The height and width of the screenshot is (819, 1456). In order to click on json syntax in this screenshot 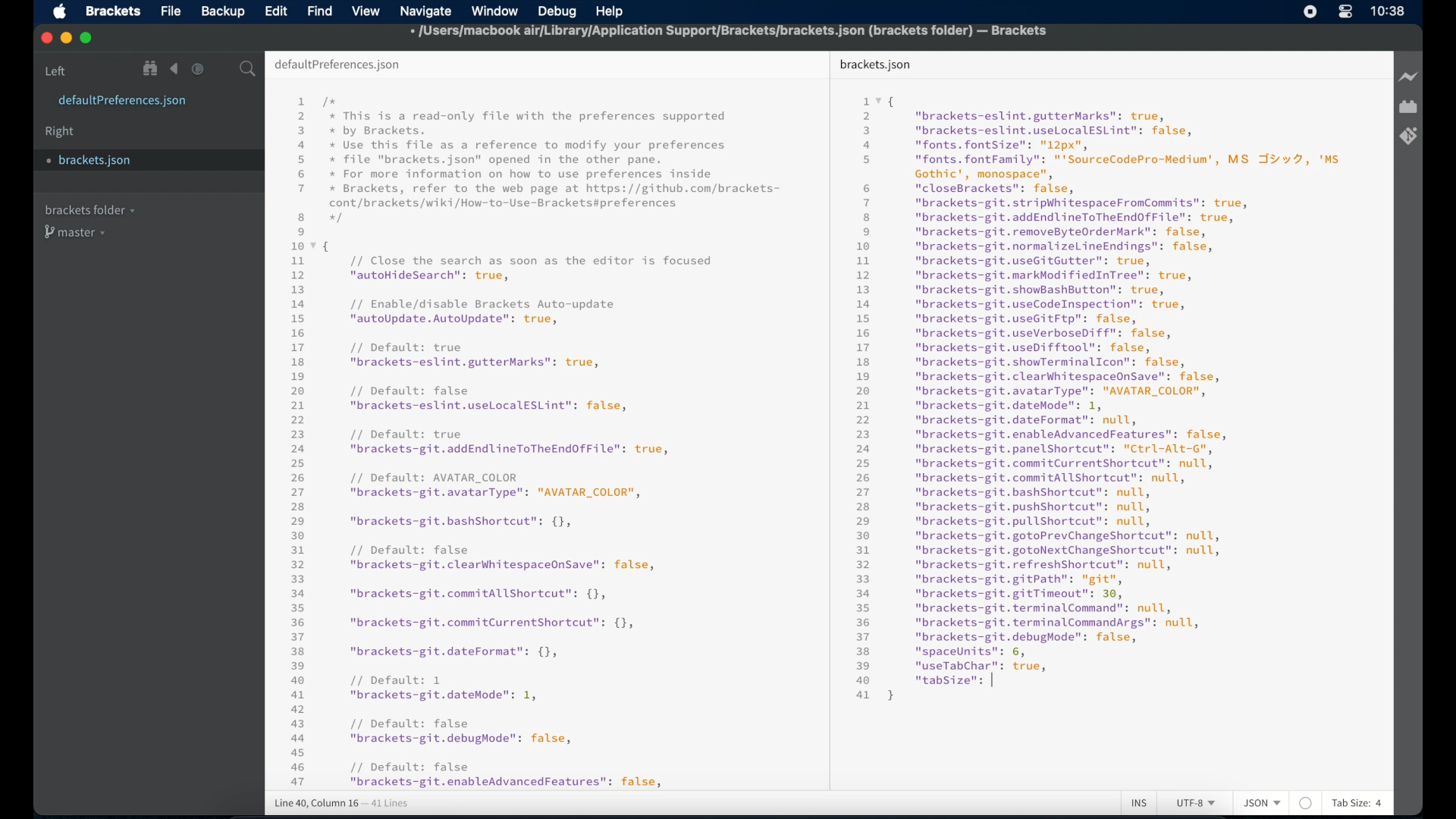, I will do `click(1098, 397)`.